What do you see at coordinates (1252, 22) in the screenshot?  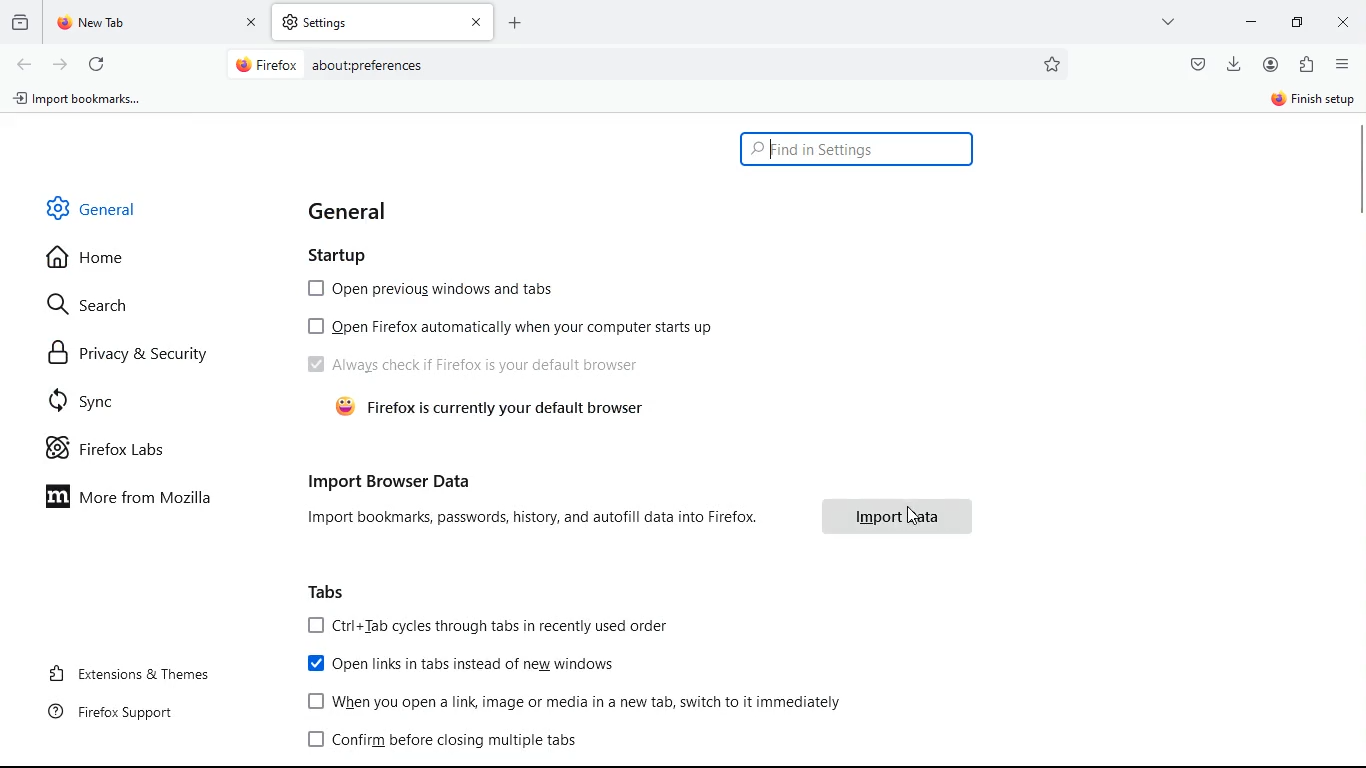 I see `minimize` at bounding box center [1252, 22].